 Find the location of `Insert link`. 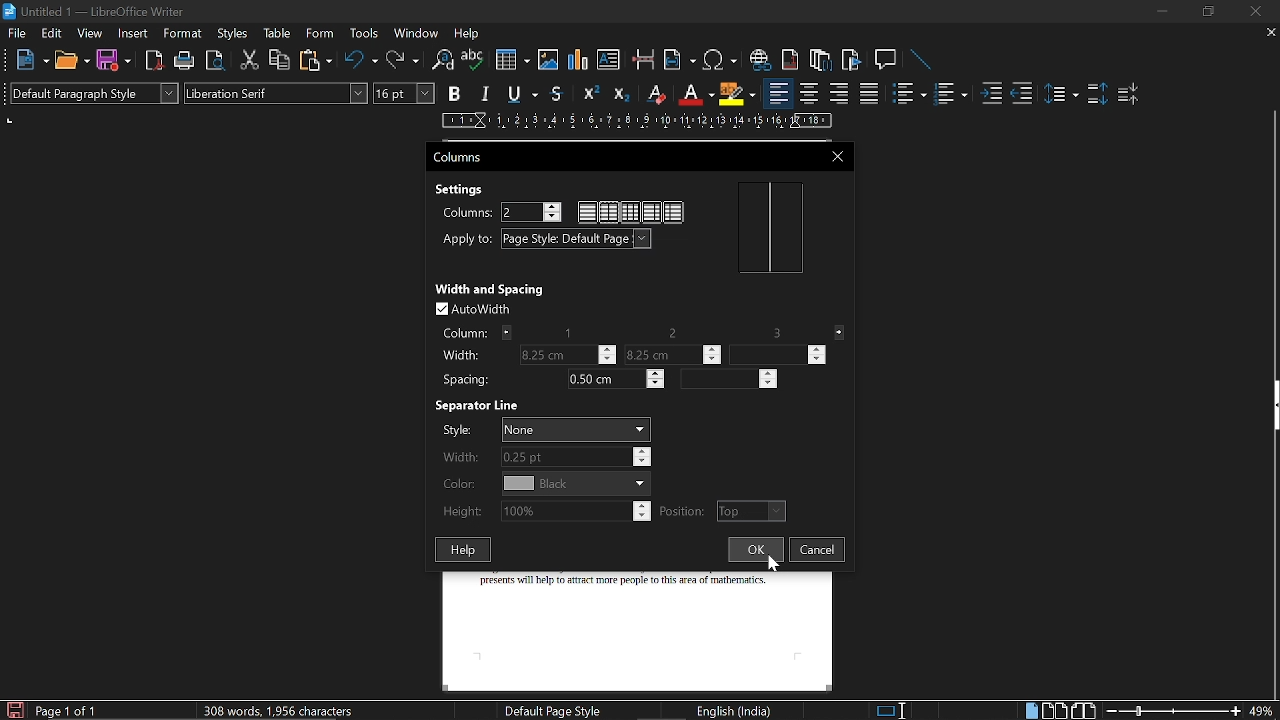

Insert link is located at coordinates (759, 60).